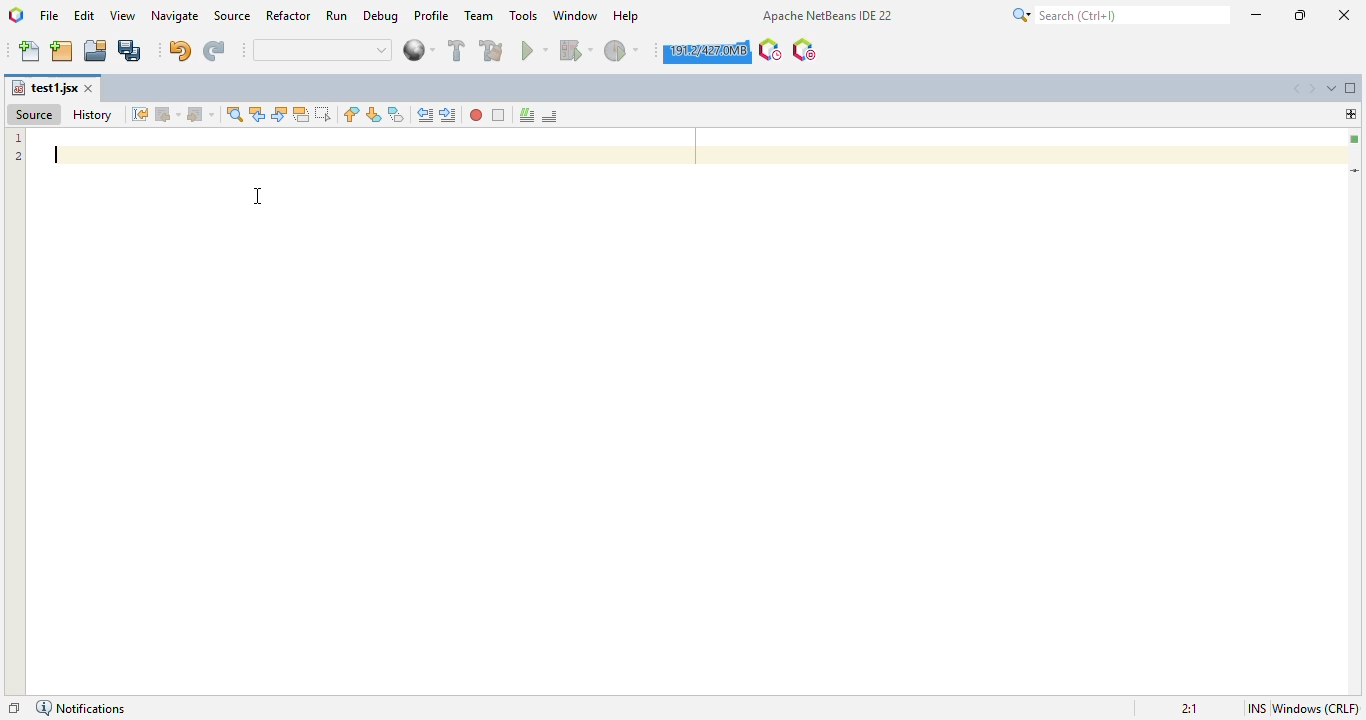  I want to click on toggle highlight search, so click(301, 114).